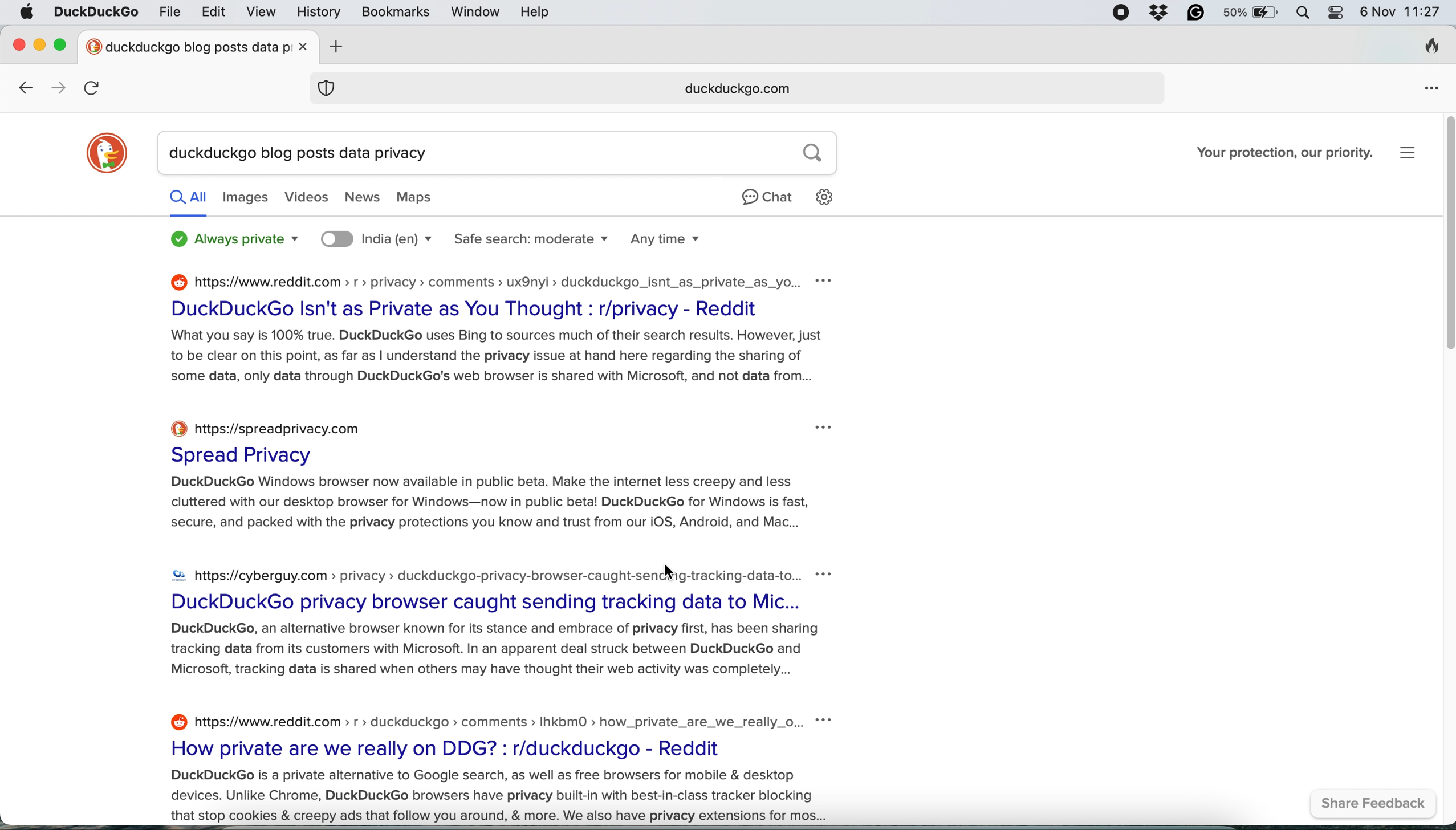 This screenshot has height=830, width=1456. Describe the element at coordinates (1249, 14) in the screenshot. I see `battery` at that location.